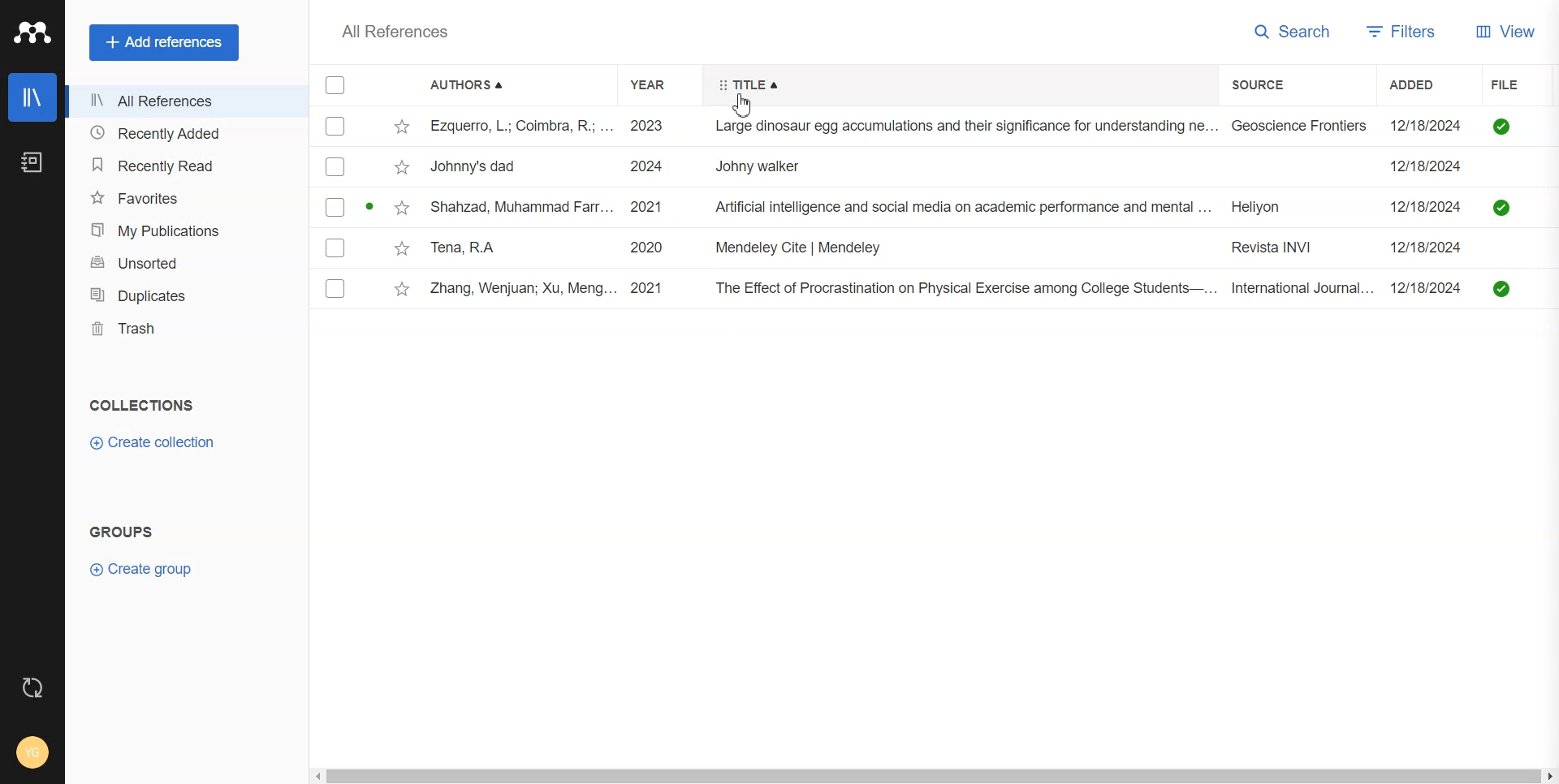 This screenshot has width=1559, height=784. I want to click on Checkmark, so click(336, 86).